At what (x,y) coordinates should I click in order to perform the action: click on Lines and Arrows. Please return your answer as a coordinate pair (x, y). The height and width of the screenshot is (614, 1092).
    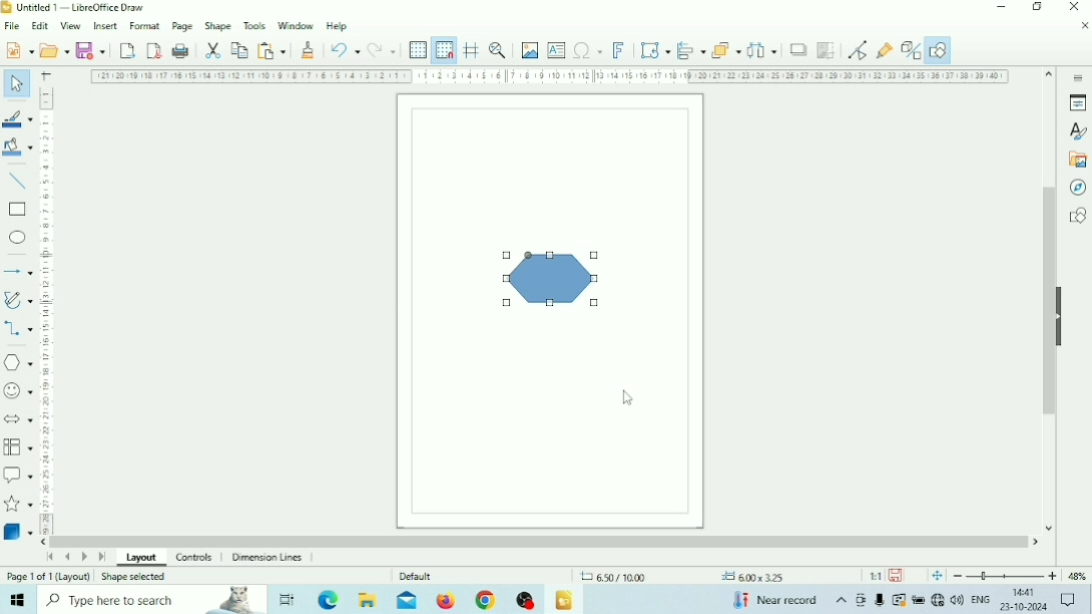
    Looking at the image, I should click on (17, 271).